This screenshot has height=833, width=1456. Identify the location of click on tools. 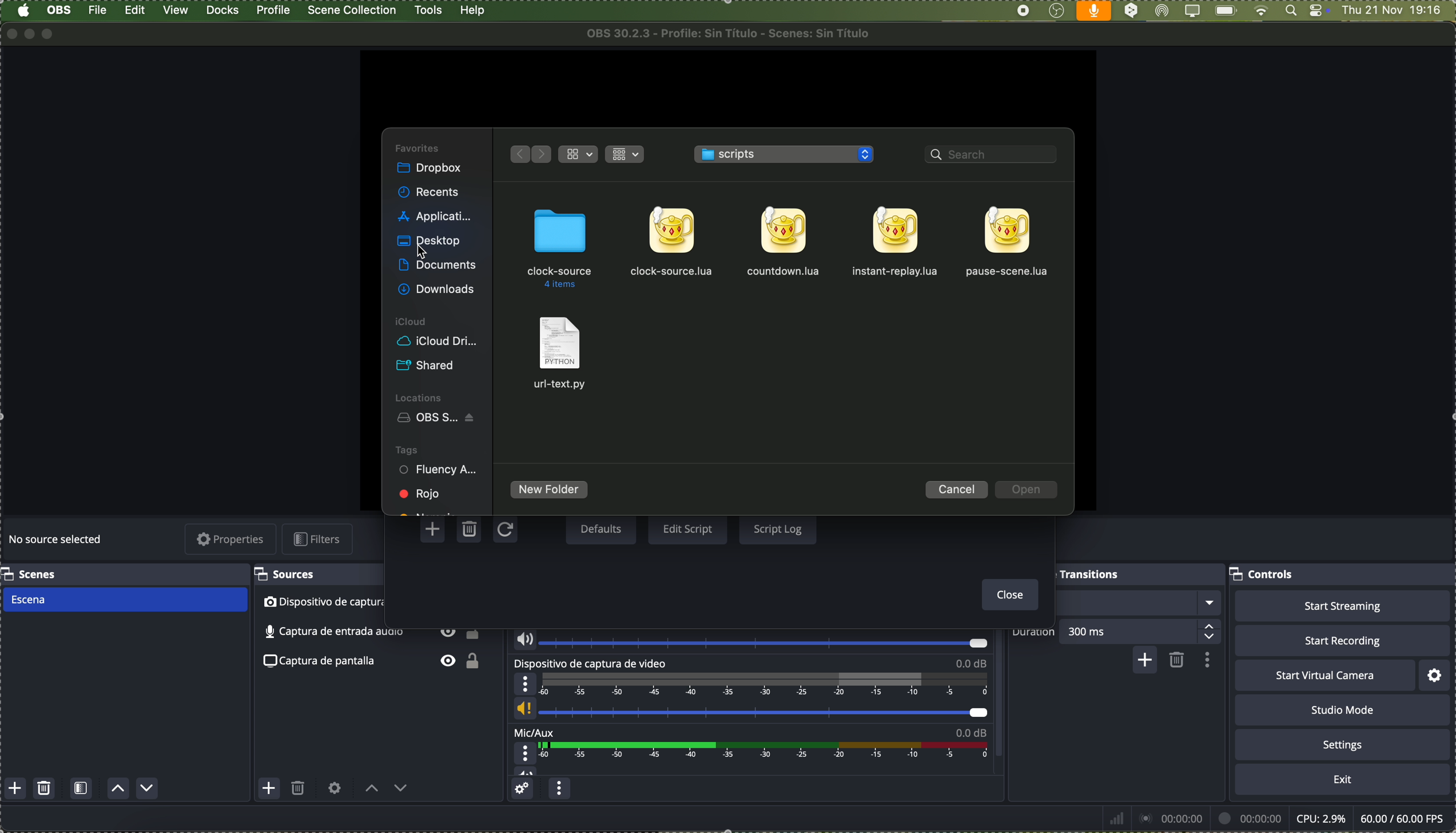
(430, 9).